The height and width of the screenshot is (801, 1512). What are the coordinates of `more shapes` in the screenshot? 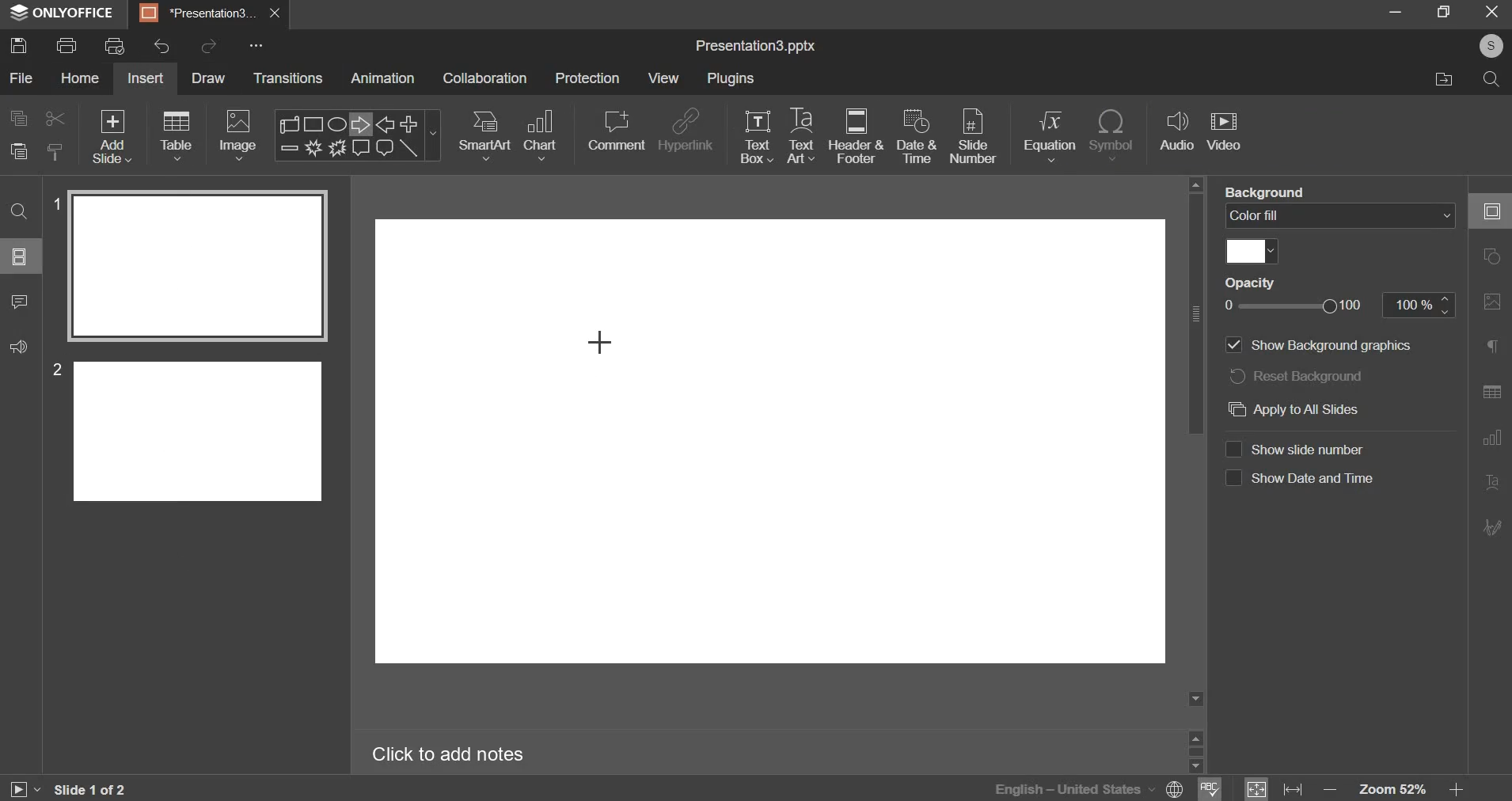 It's located at (435, 138).